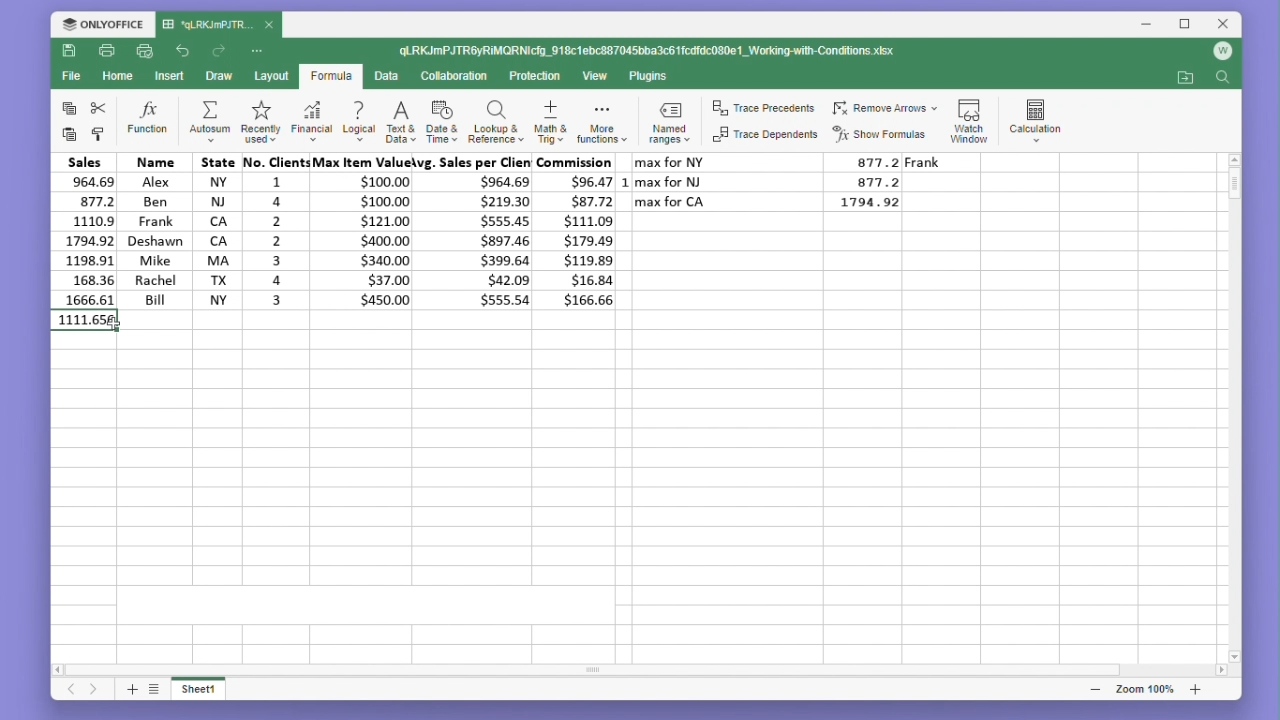  What do you see at coordinates (777, 205) in the screenshot?
I see `max for LA 1794.92` at bounding box center [777, 205].